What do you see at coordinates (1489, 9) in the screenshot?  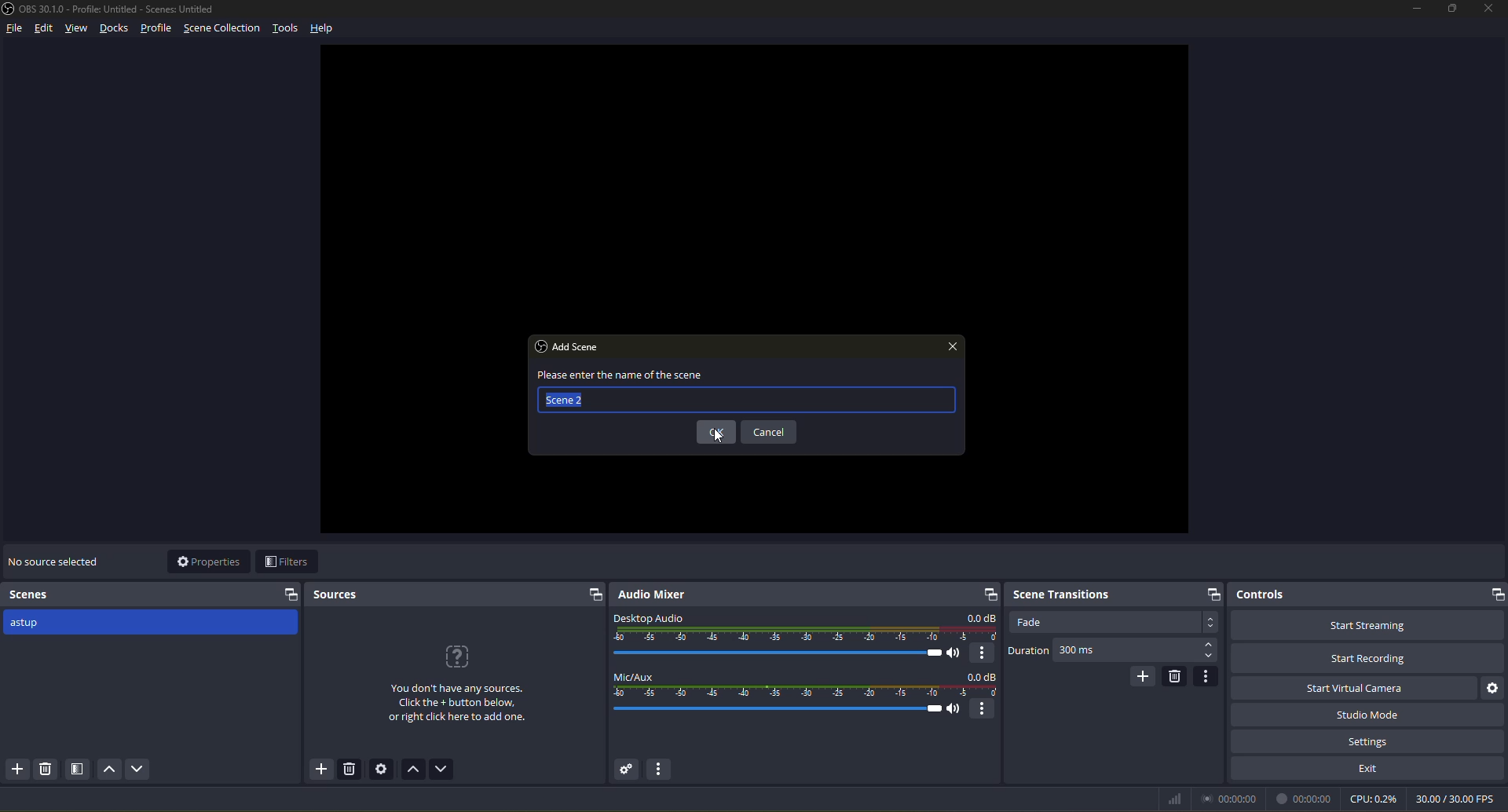 I see `close` at bounding box center [1489, 9].